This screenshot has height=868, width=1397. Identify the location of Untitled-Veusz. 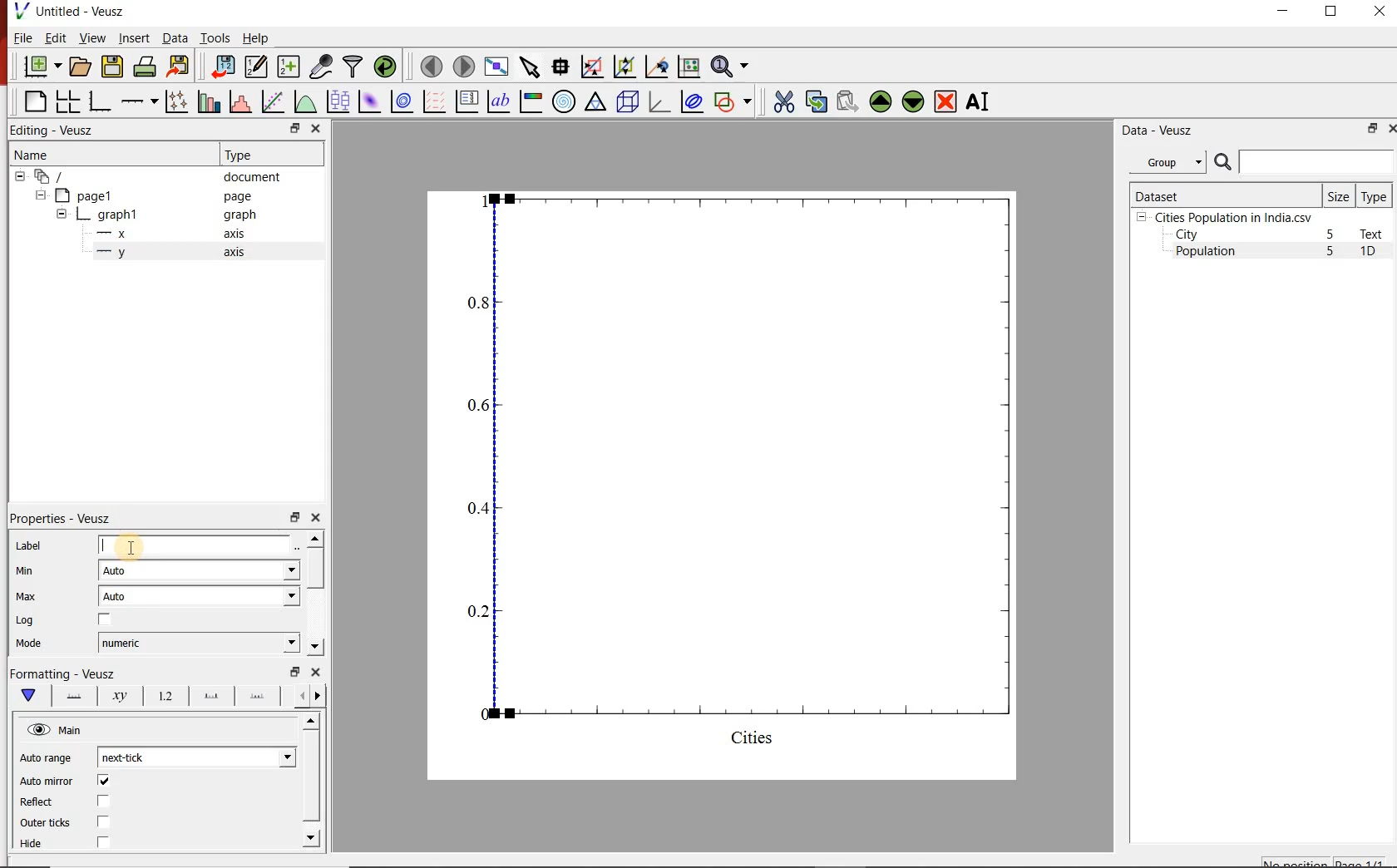
(71, 12).